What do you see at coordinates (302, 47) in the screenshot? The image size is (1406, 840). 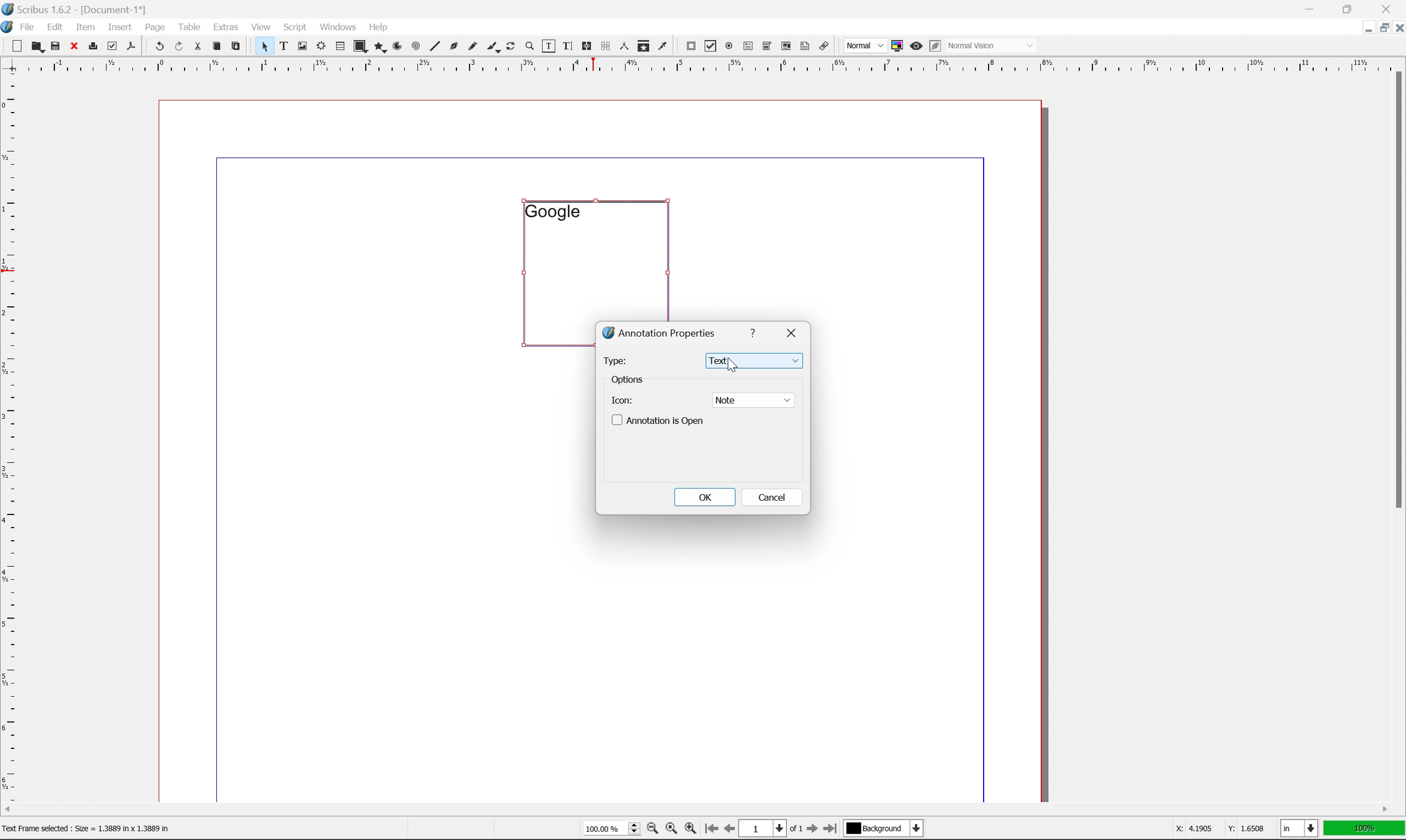 I see `image frame` at bounding box center [302, 47].